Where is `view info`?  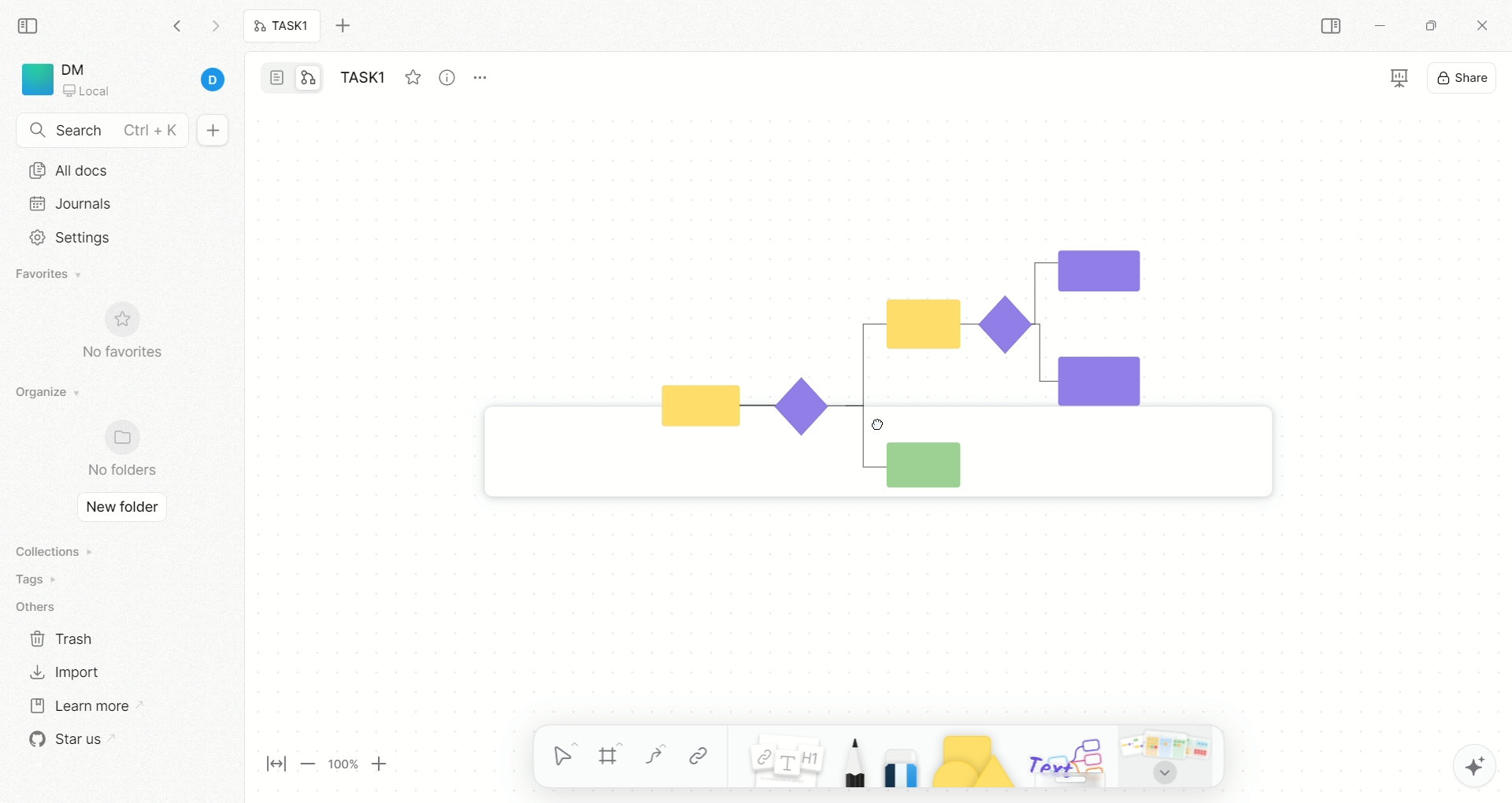
view info is located at coordinates (450, 78).